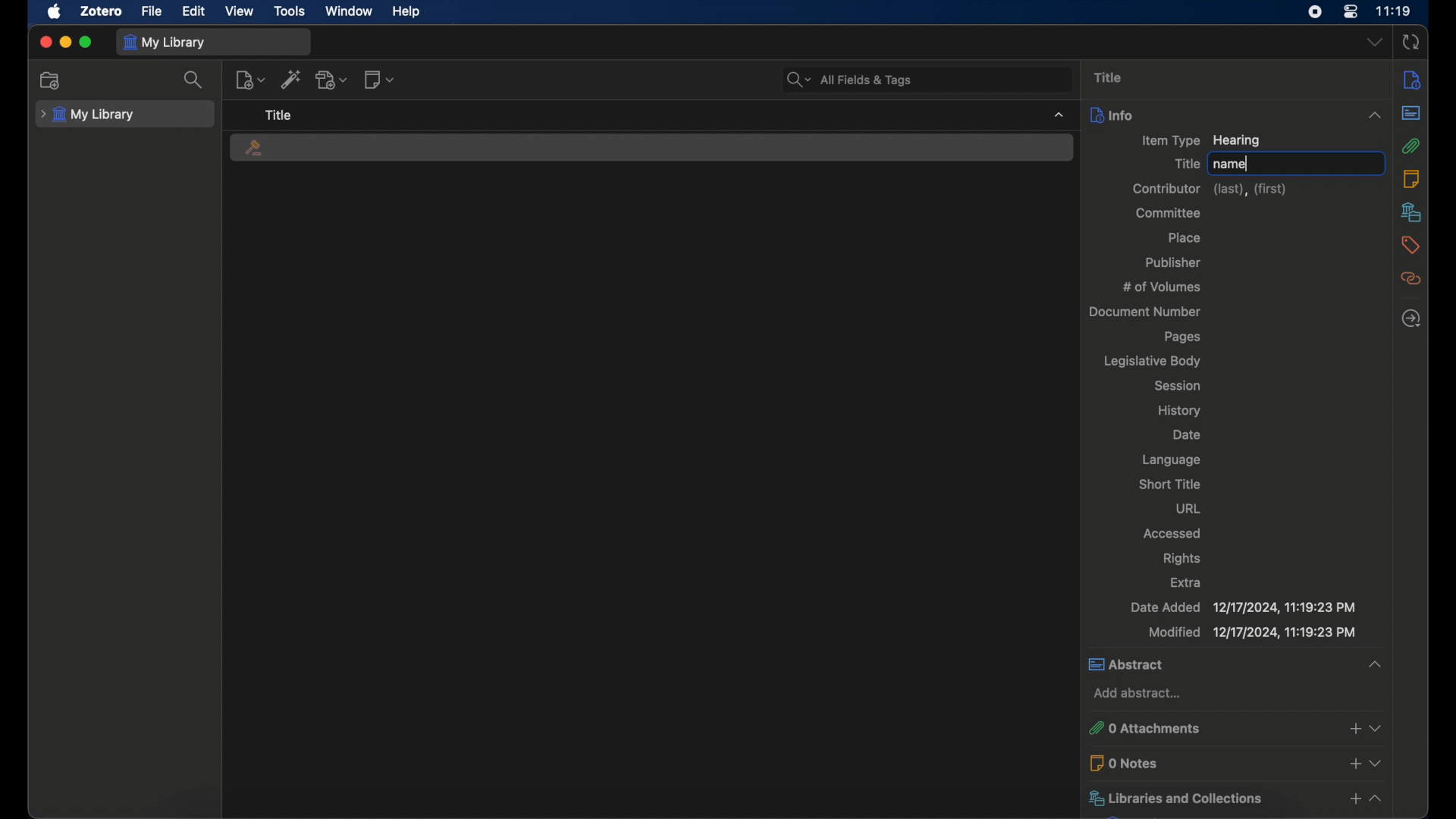 This screenshot has height=819, width=1456. What do you see at coordinates (1109, 77) in the screenshot?
I see `title` at bounding box center [1109, 77].